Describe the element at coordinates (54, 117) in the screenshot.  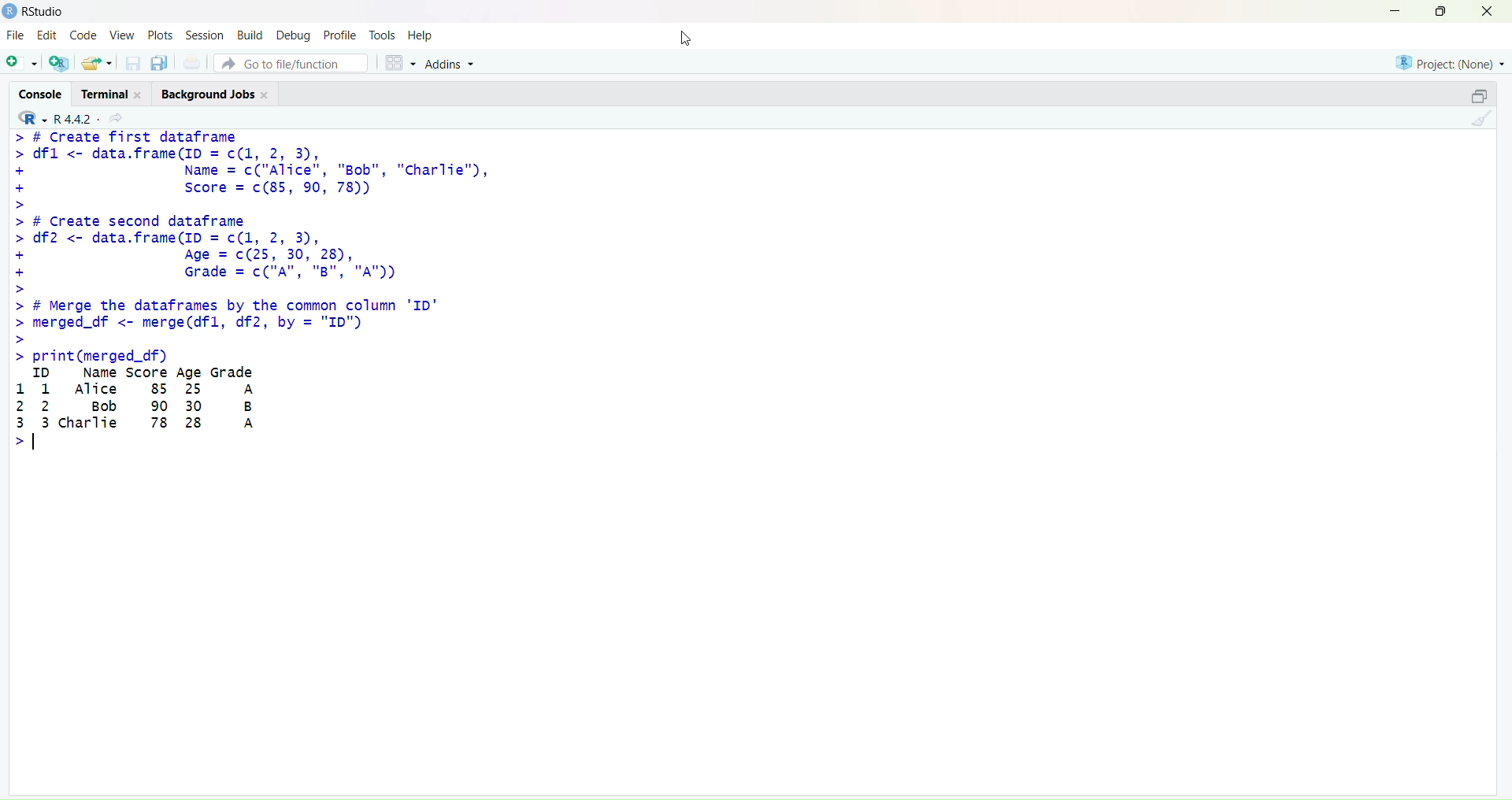
I see `R 4.4.2` at that location.